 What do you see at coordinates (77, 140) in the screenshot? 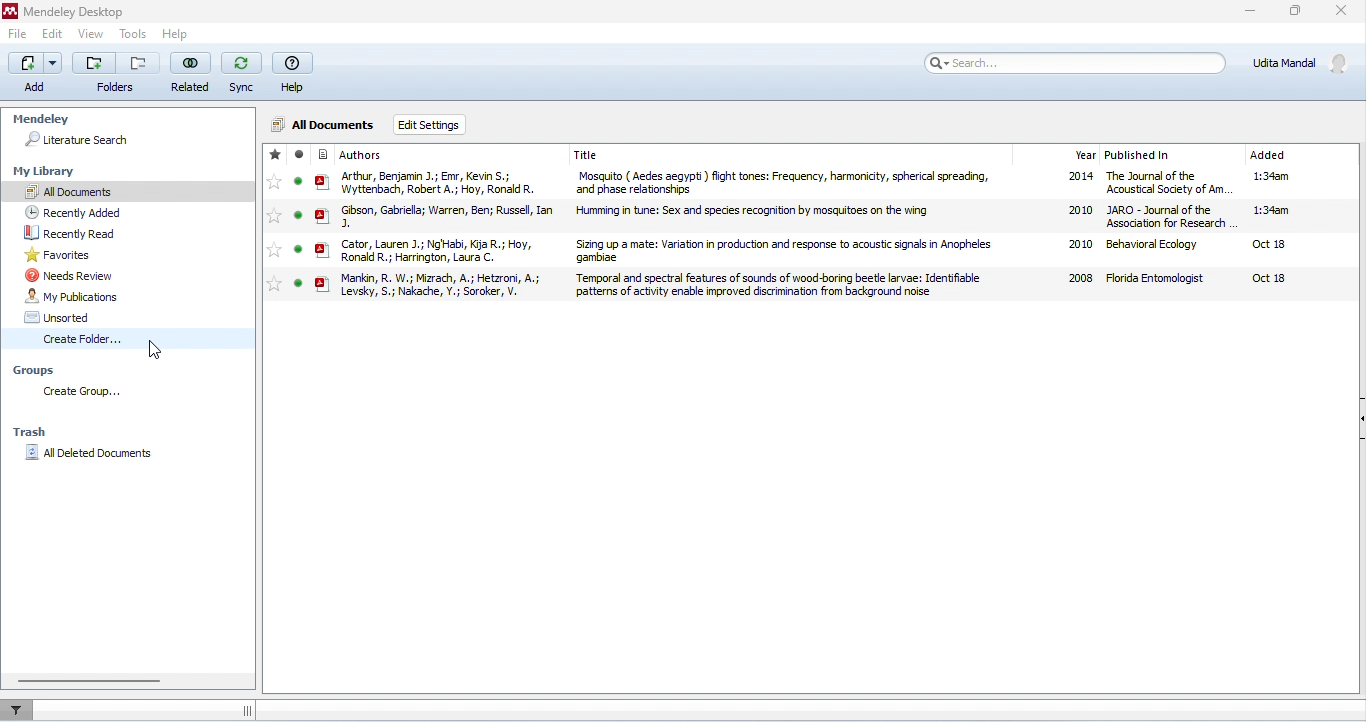
I see `literature search` at bounding box center [77, 140].